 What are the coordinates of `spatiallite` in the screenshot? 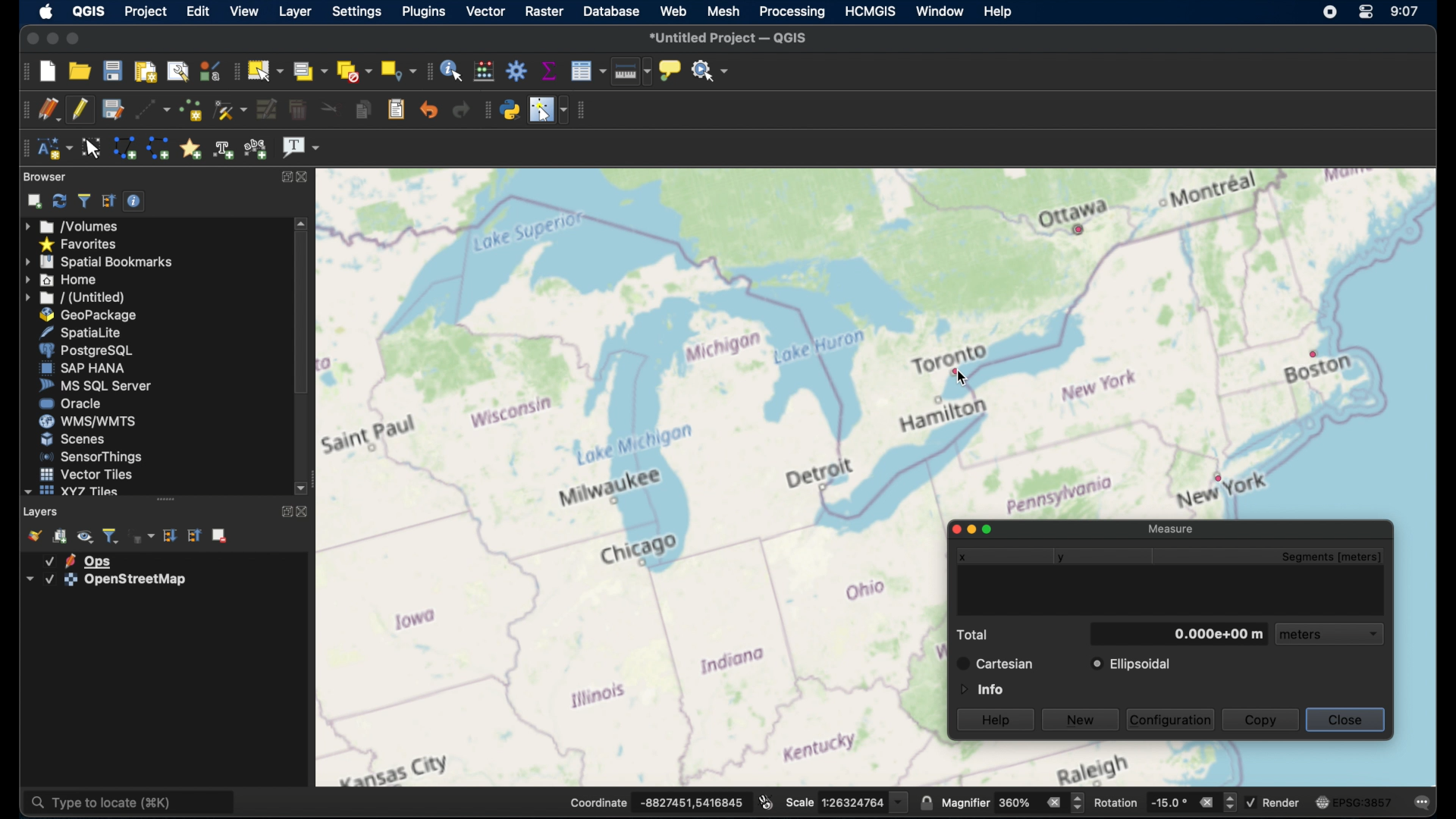 It's located at (93, 331).